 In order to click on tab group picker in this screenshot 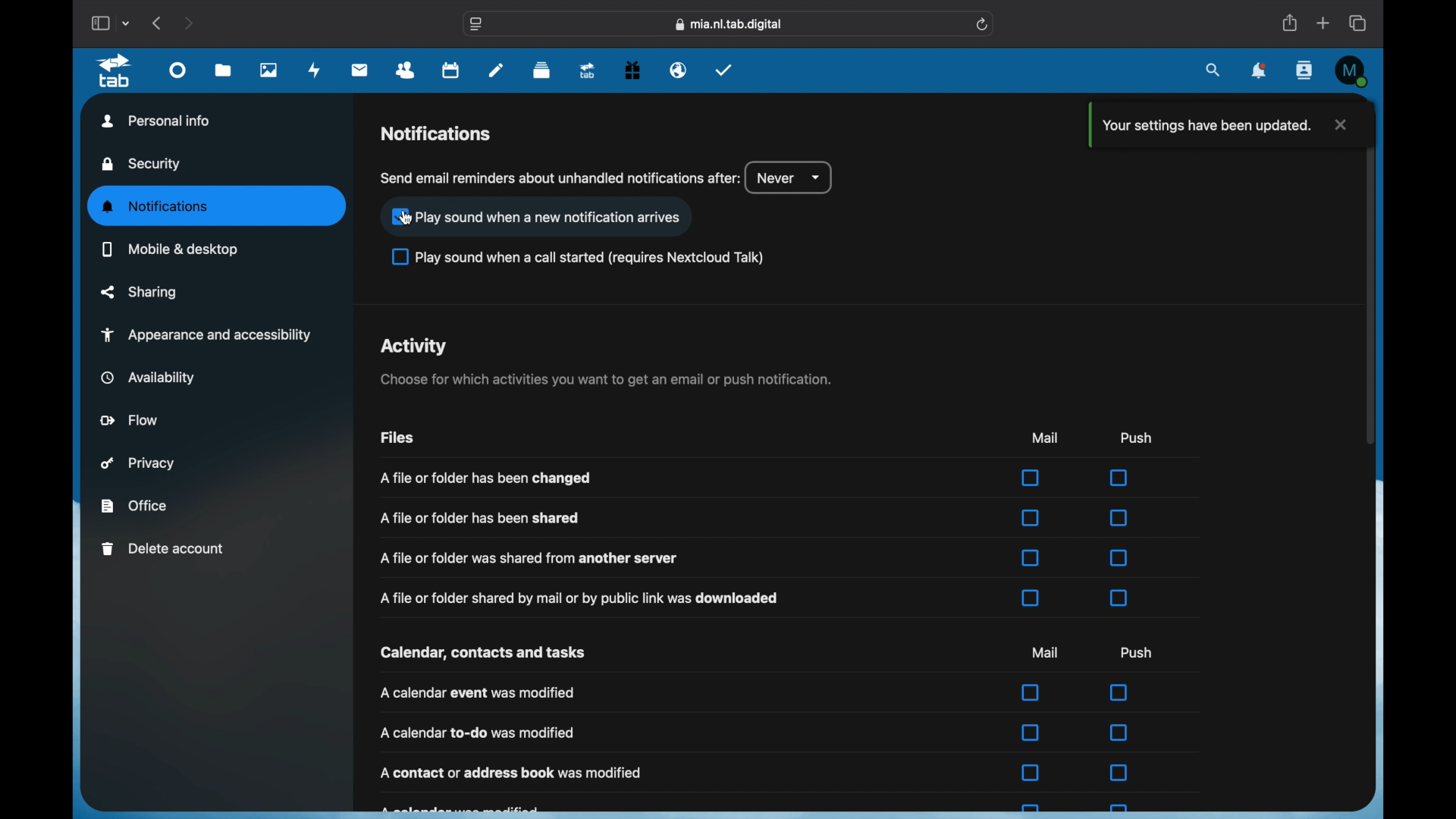, I will do `click(127, 23)`.